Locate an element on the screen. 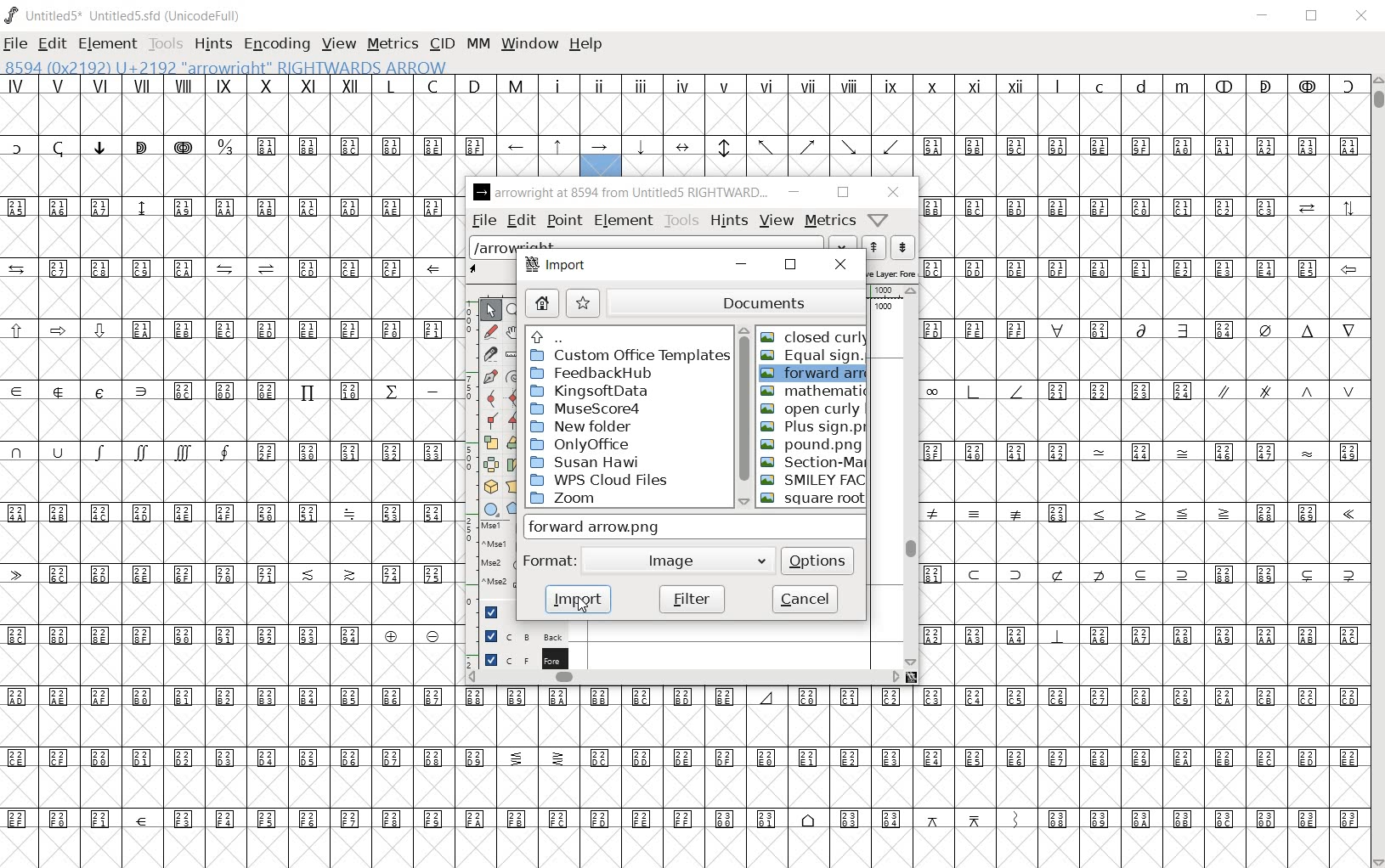 The width and height of the screenshot is (1385, 868). MM is located at coordinates (480, 45).